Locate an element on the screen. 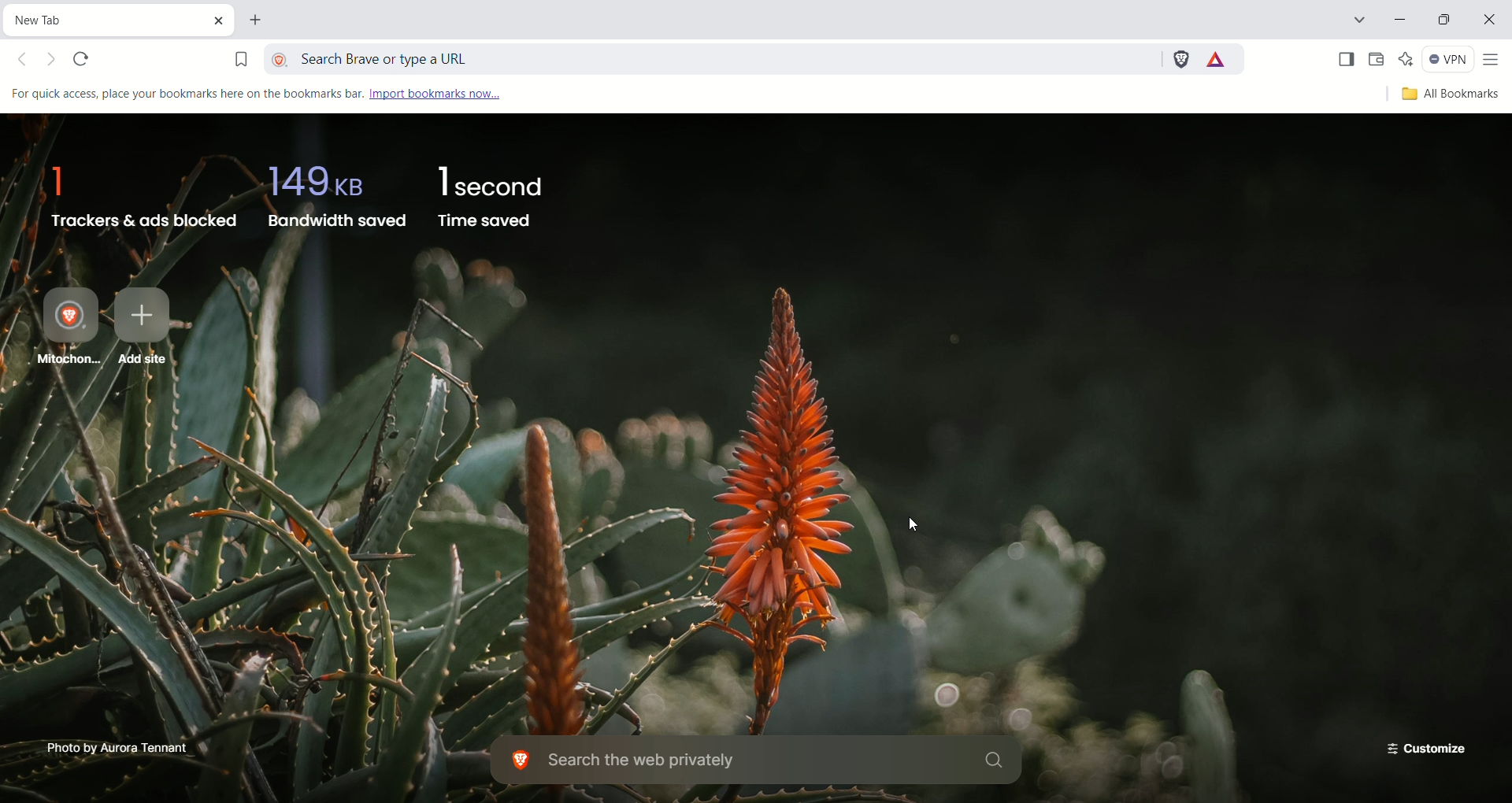  Click to go forward, hold to see history is located at coordinates (54, 62).